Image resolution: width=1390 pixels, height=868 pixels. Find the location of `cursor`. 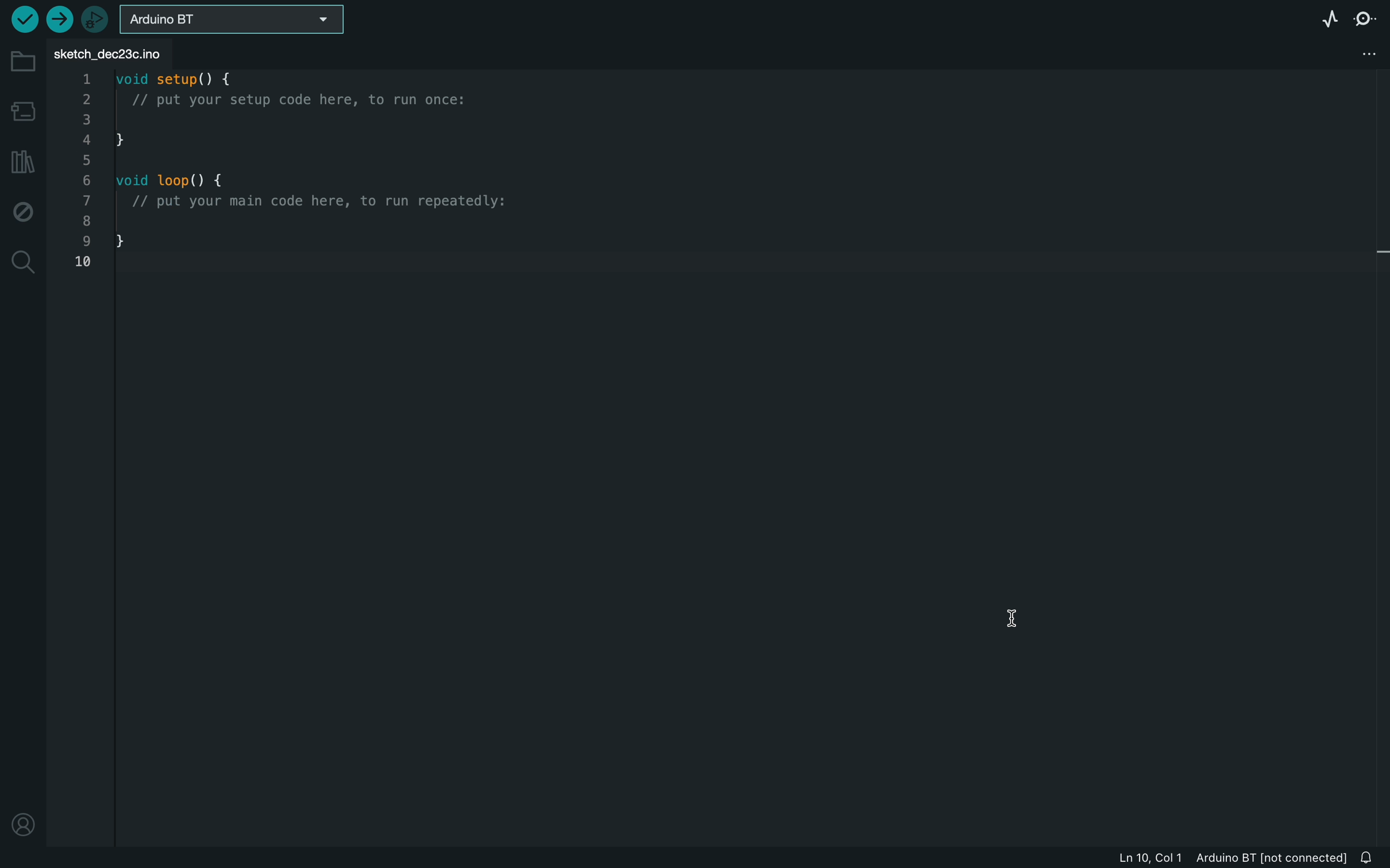

cursor is located at coordinates (1005, 615).